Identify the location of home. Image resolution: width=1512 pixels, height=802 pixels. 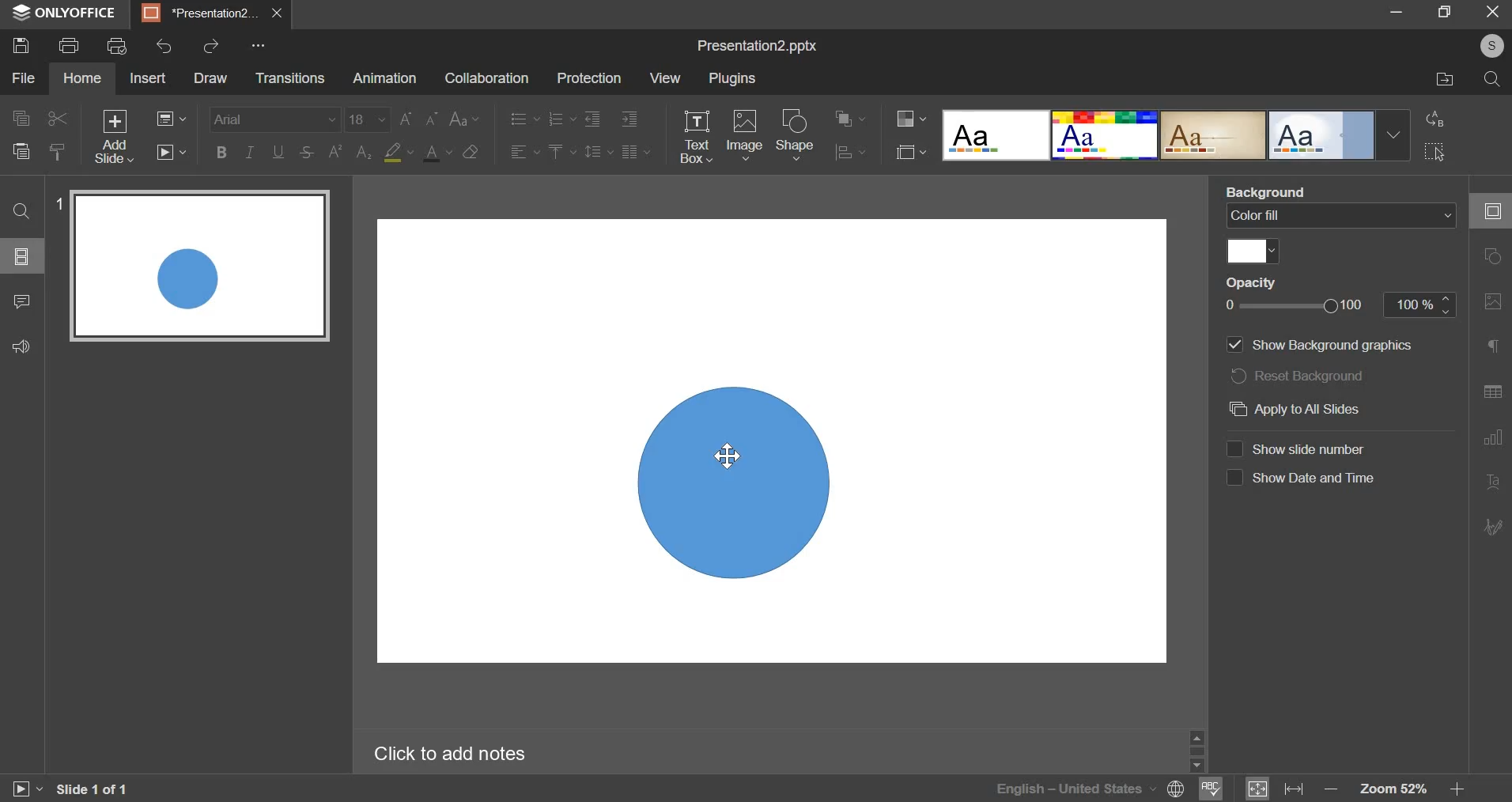
(82, 78).